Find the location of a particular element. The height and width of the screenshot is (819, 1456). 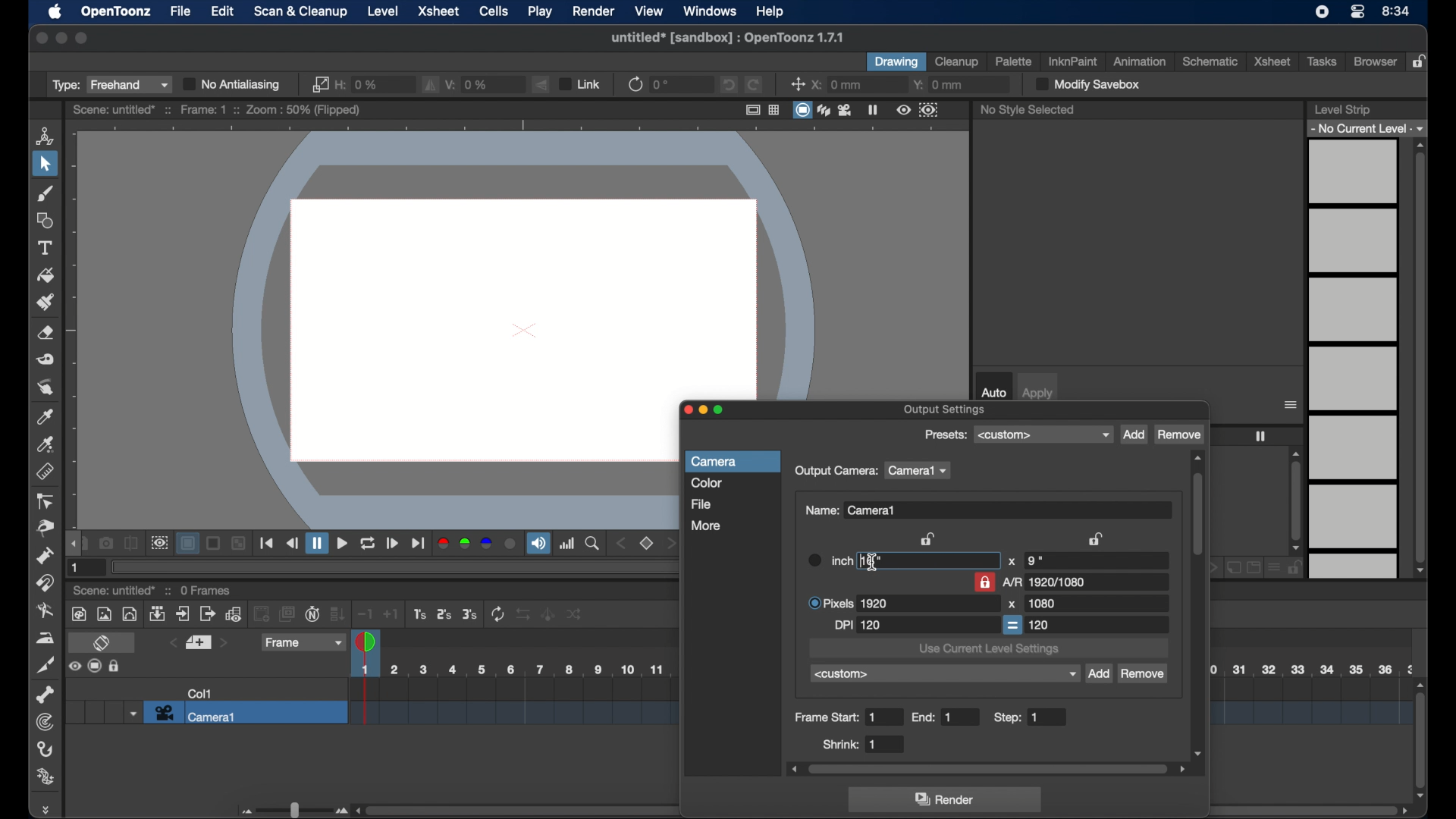

y is located at coordinates (939, 85).